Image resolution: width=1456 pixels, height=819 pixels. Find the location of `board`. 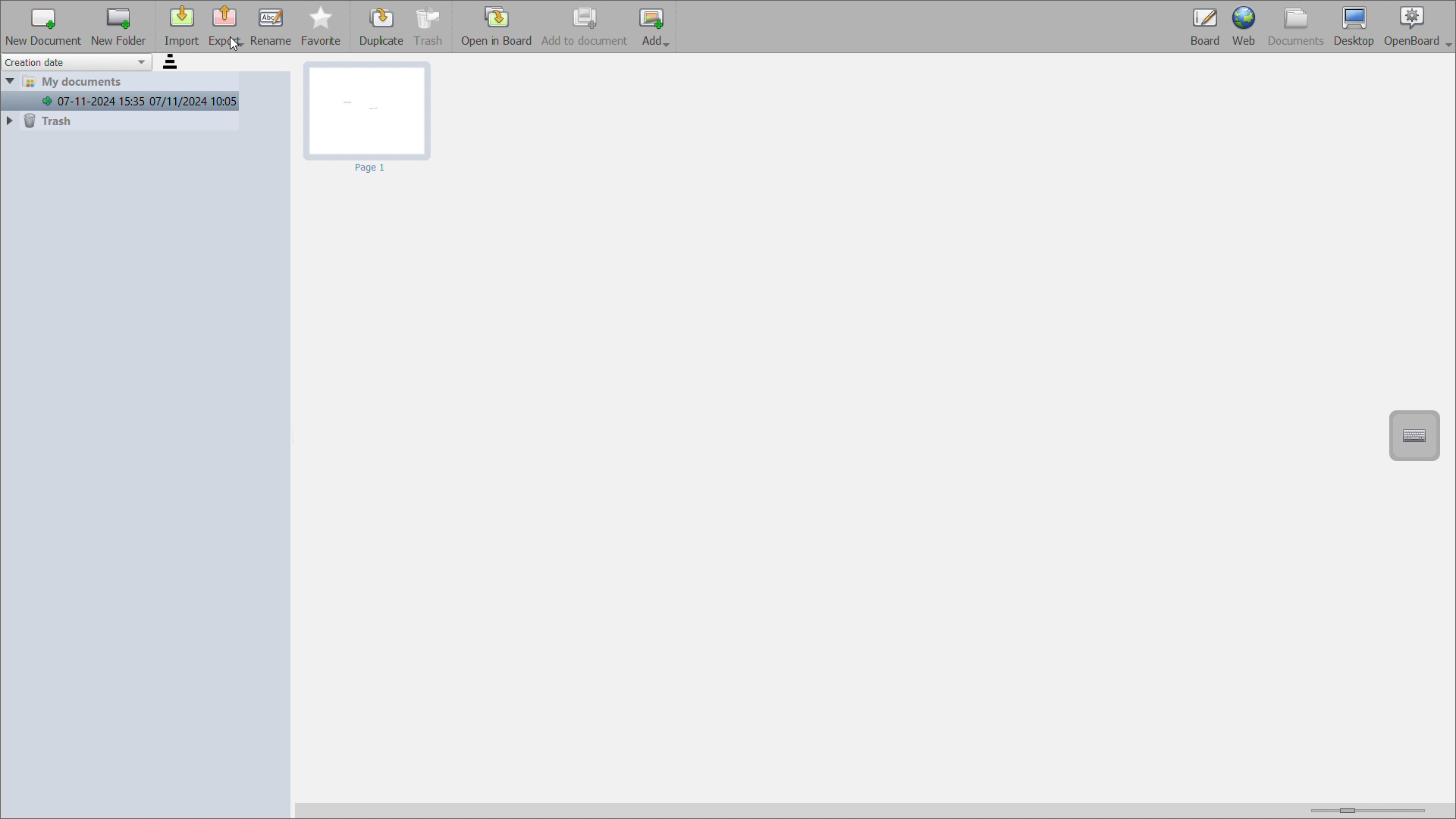

board is located at coordinates (1203, 27).